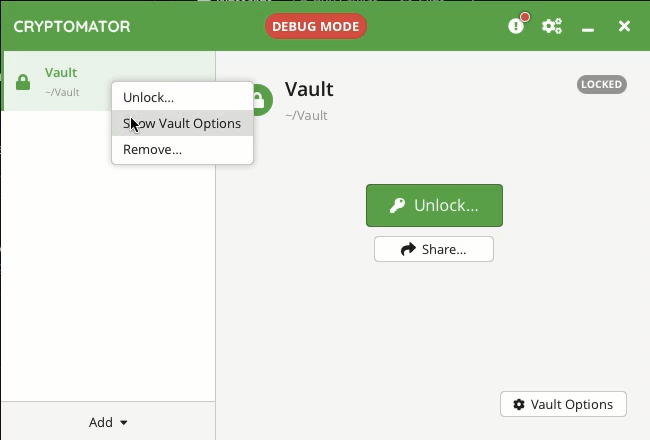 This screenshot has width=650, height=440. I want to click on Vault, so click(300, 96).